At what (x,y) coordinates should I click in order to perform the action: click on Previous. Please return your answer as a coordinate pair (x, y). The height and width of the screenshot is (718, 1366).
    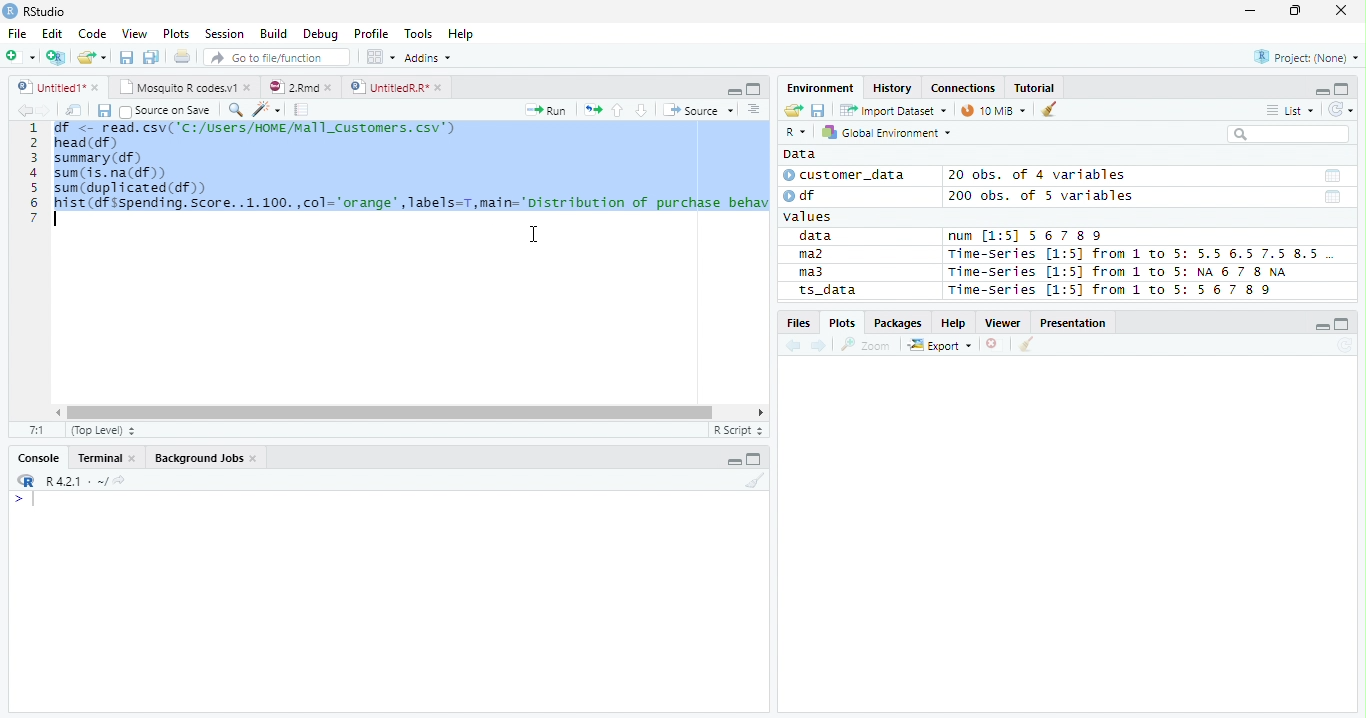
    Looking at the image, I should click on (796, 346).